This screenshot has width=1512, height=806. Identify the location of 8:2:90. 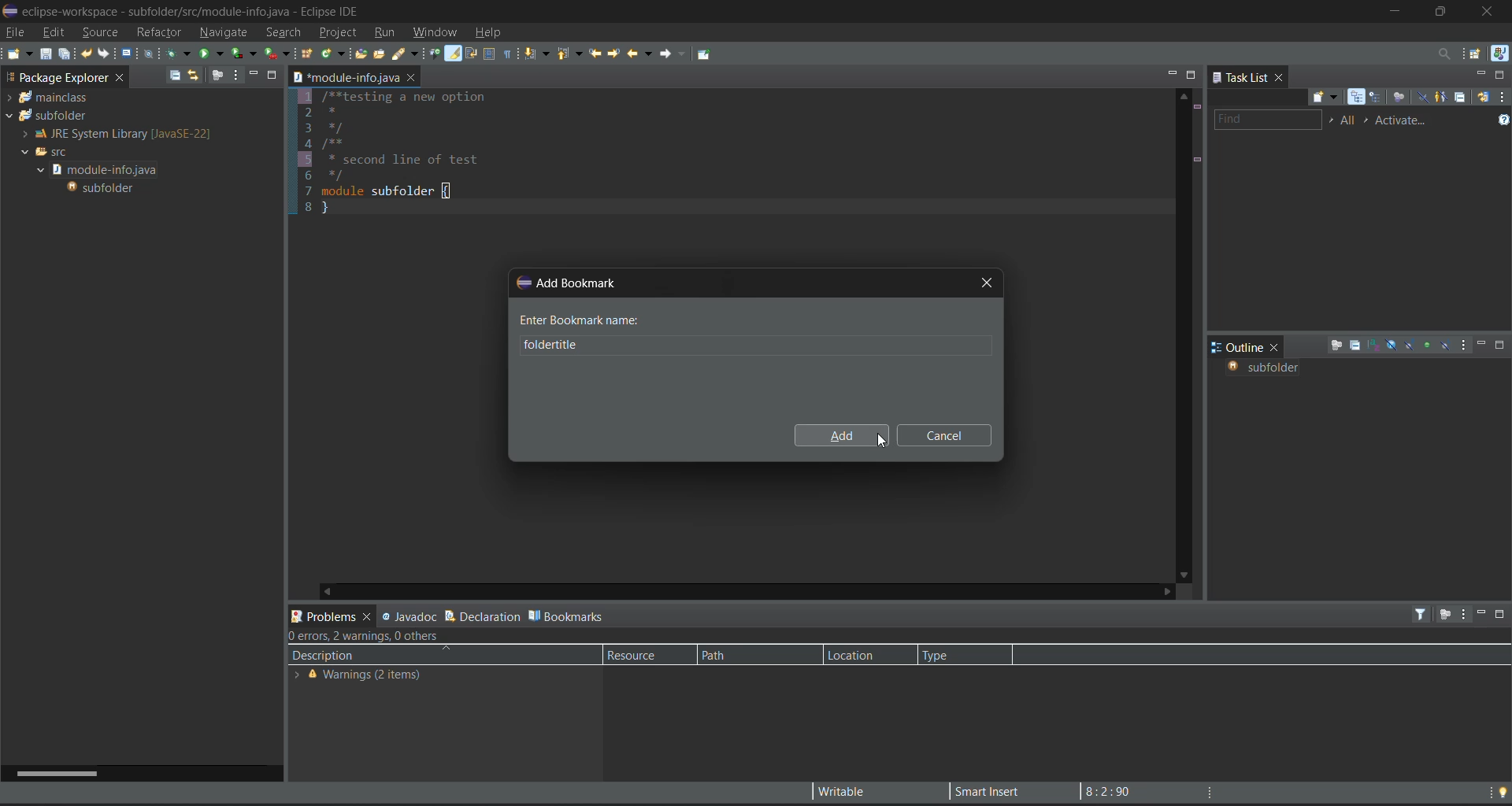
(1116, 790).